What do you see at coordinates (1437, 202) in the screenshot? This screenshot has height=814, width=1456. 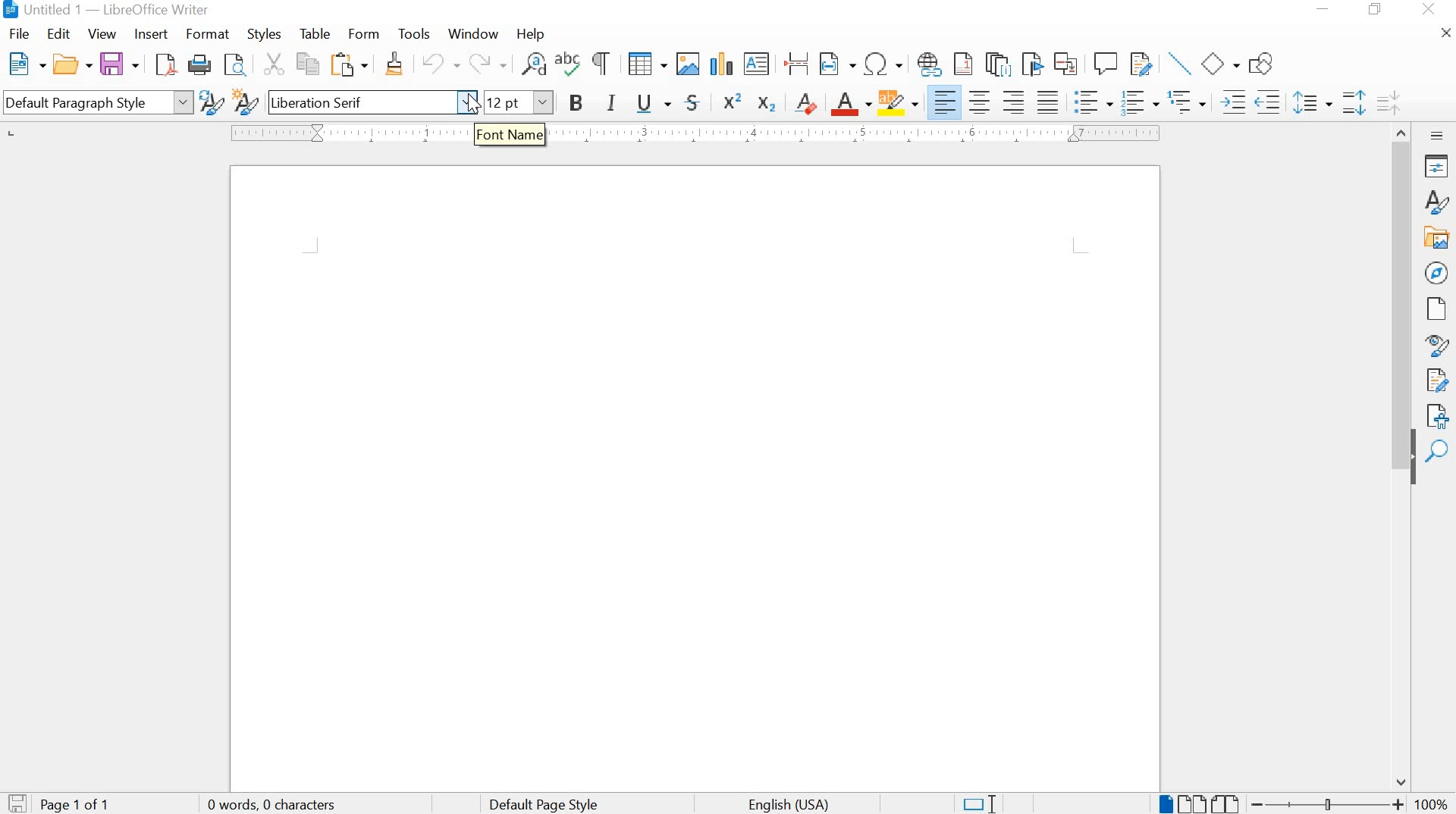 I see `STYLES` at bounding box center [1437, 202].